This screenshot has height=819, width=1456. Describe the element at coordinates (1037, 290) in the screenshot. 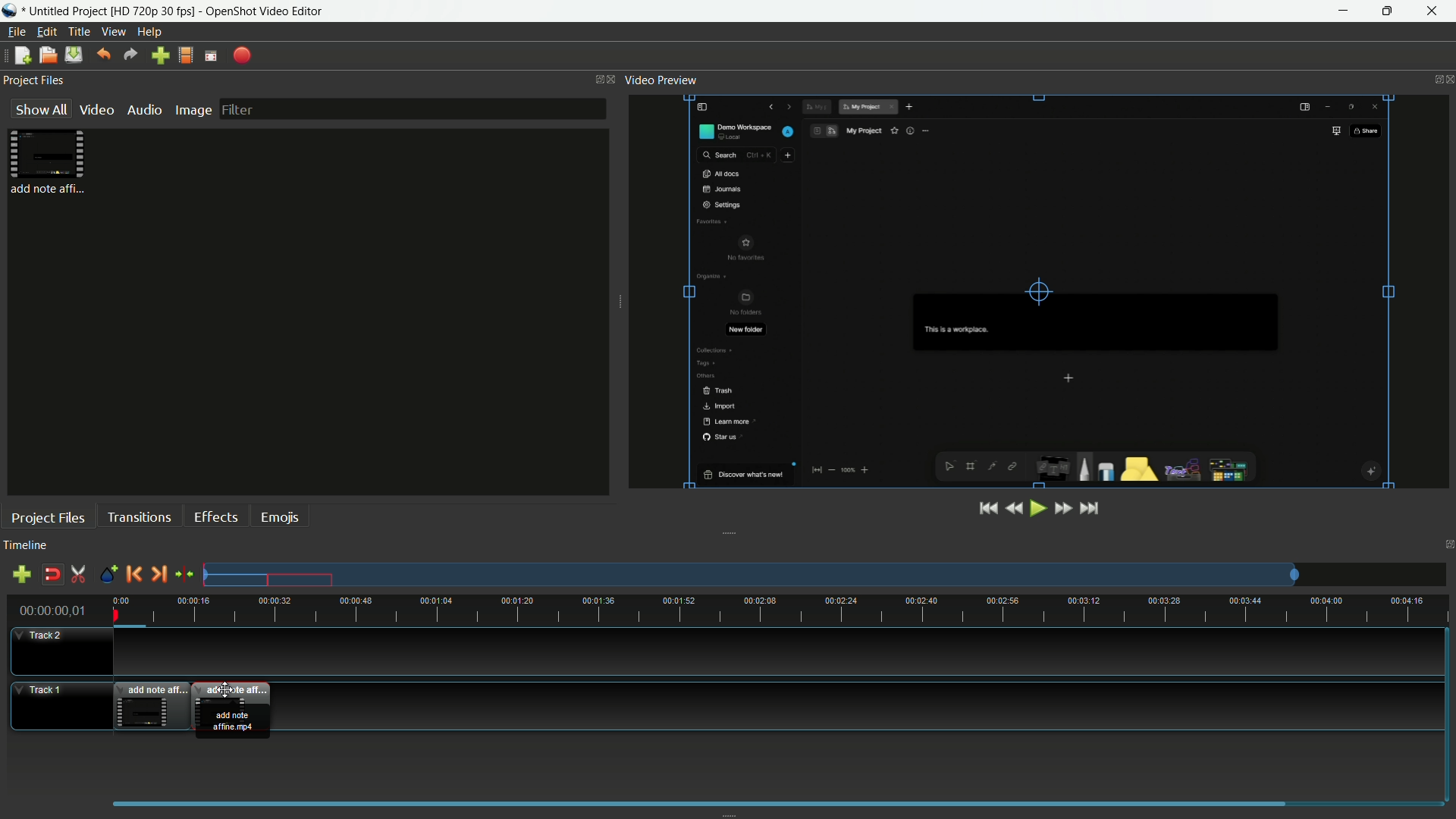

I see `preview video` at that location.